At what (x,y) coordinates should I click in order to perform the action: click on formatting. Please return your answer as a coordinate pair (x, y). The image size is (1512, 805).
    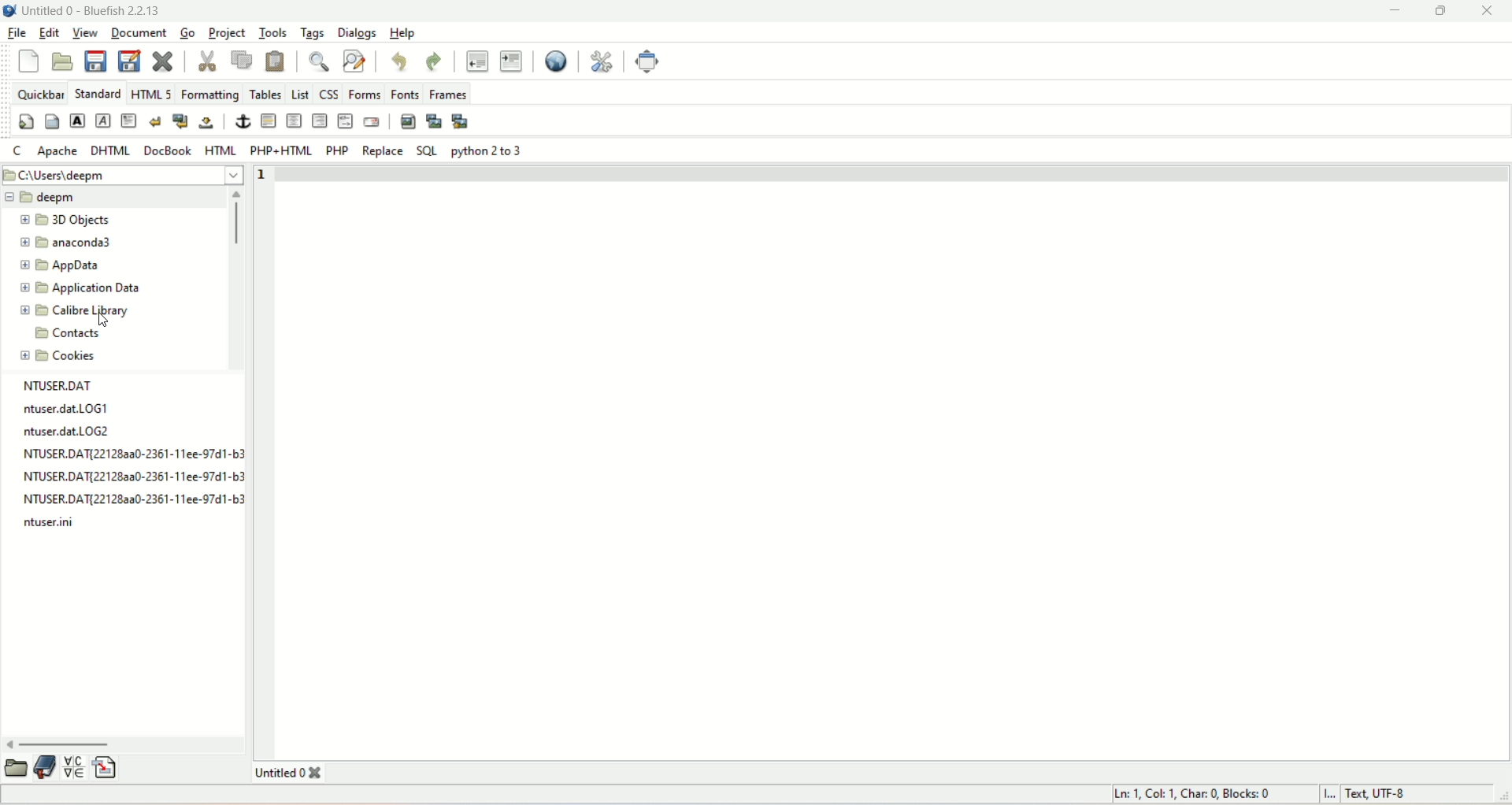
    Looking at the image, I should click on (209, 95).